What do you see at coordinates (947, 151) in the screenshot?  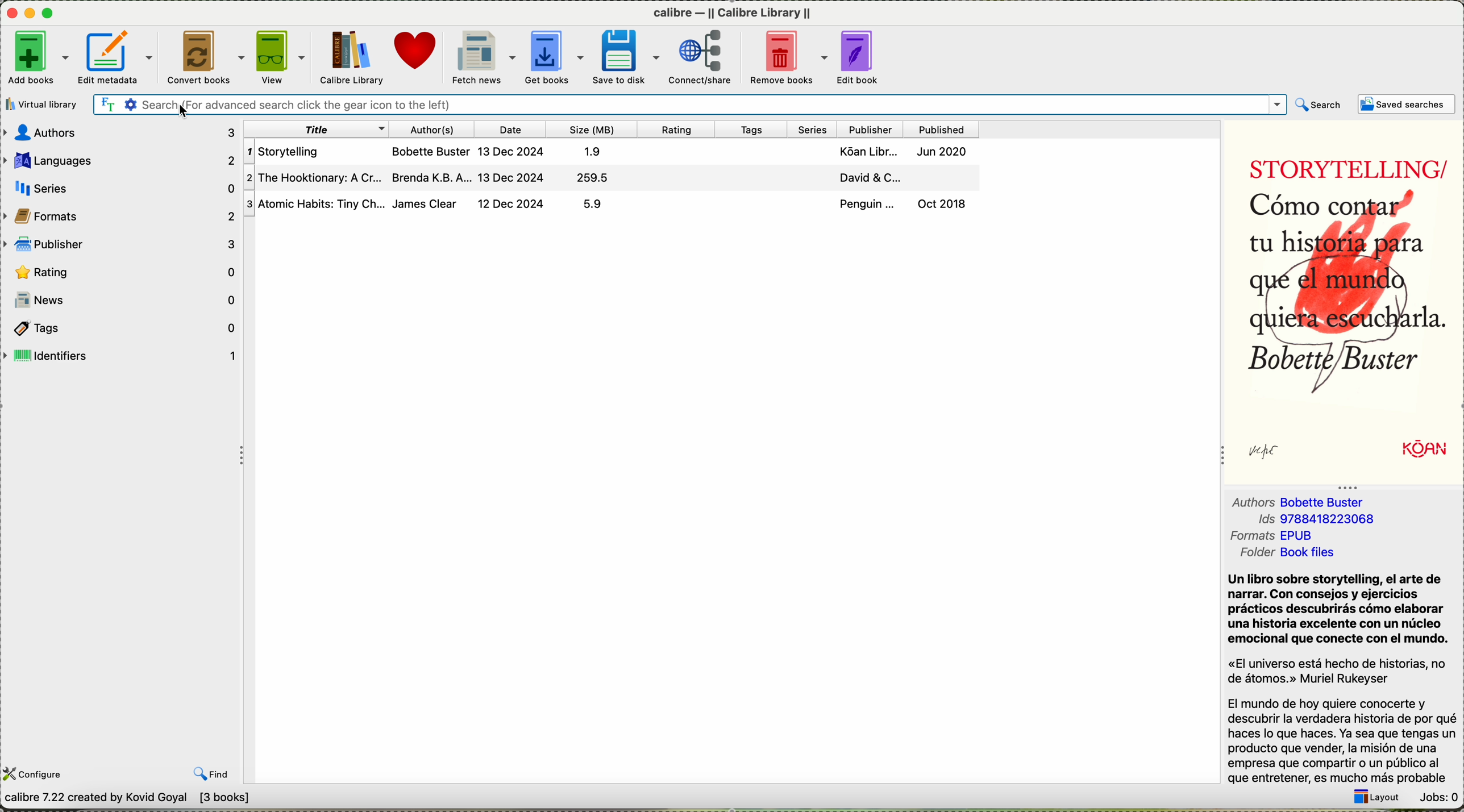 I see `Jun 2020` at bounding box center [947, 151].